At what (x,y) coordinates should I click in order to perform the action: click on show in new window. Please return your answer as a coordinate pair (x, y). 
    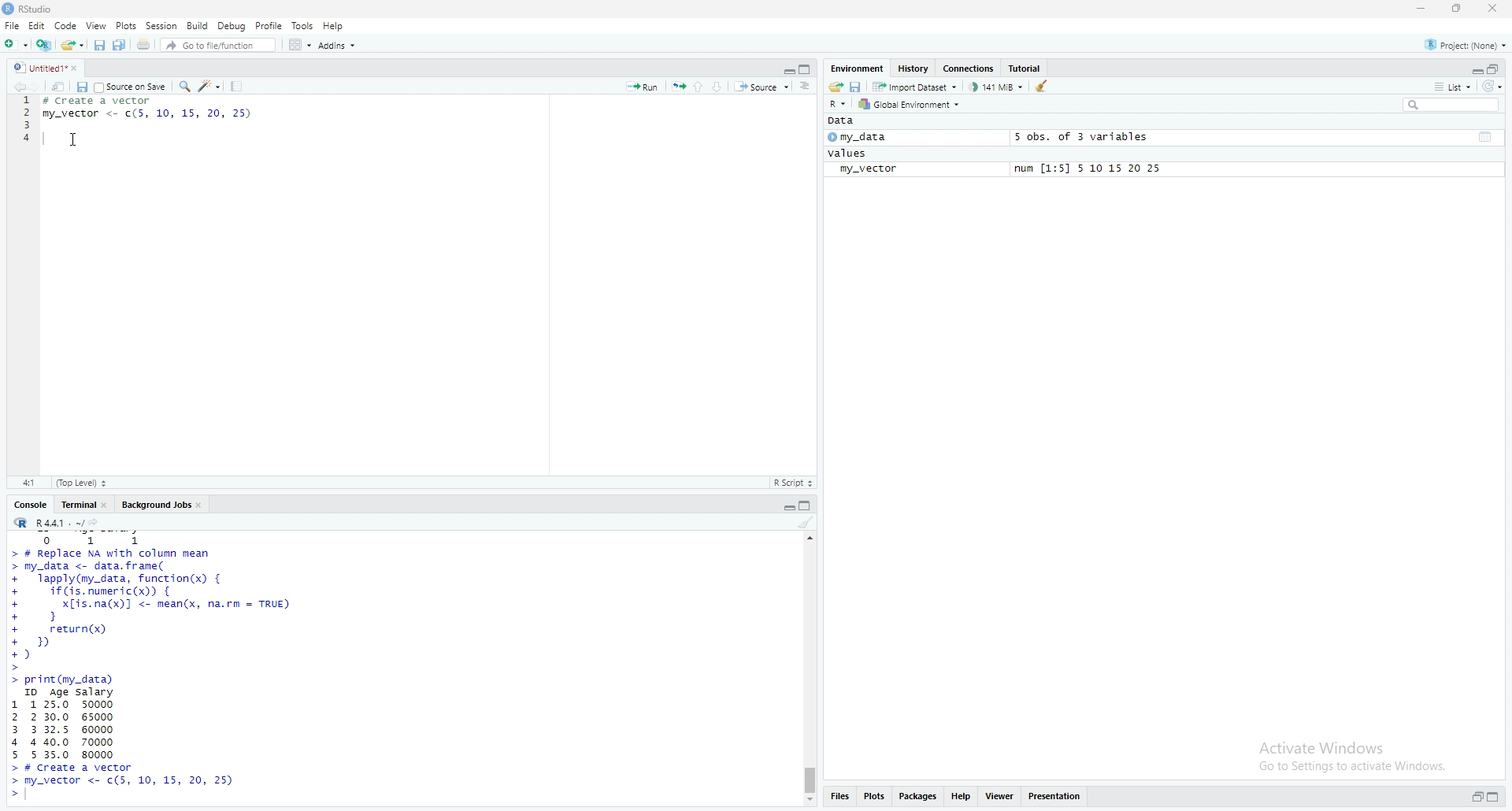
    Looking at the image, I should click on (59, 87).